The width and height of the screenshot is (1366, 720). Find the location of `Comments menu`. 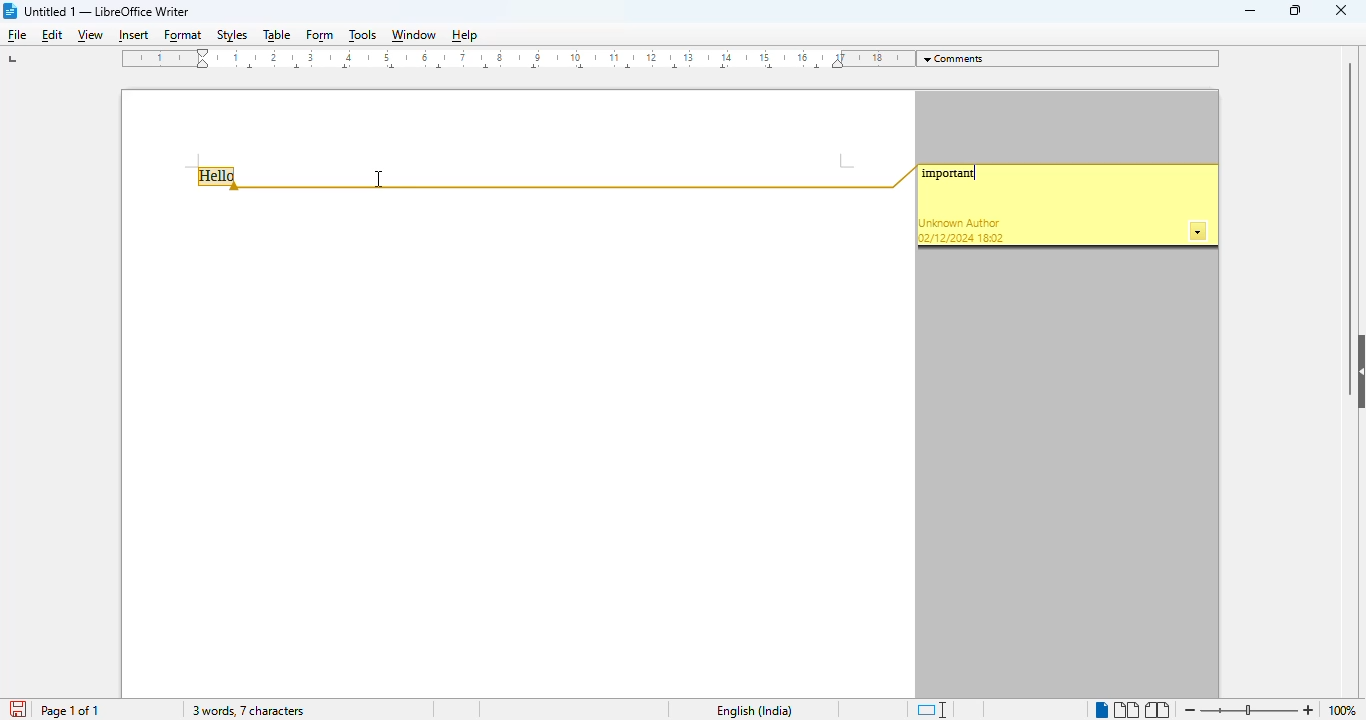

Comments menu is located at coordinates (1071, 58).